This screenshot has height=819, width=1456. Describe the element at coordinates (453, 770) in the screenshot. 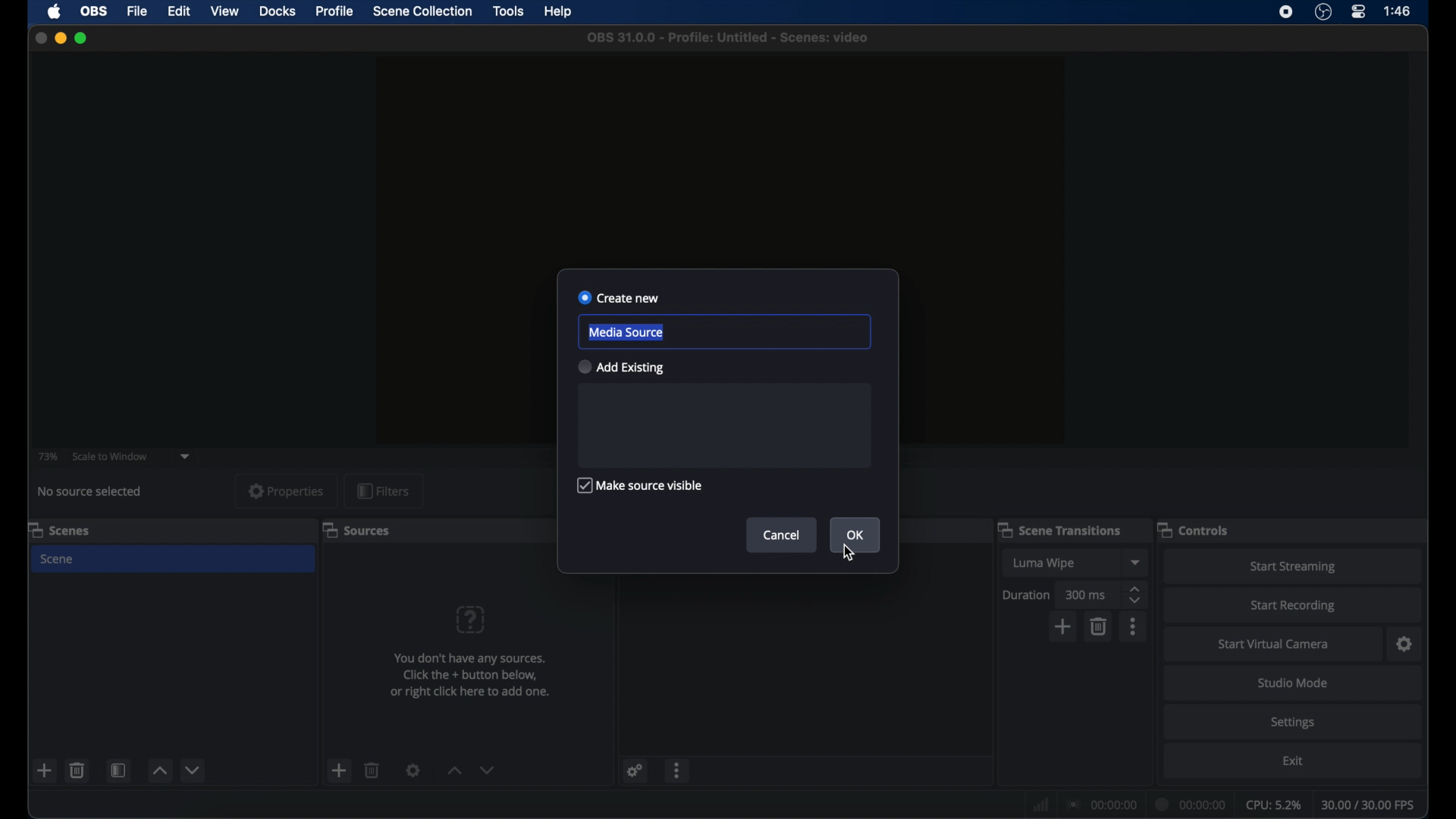

I see `increment` at that location.